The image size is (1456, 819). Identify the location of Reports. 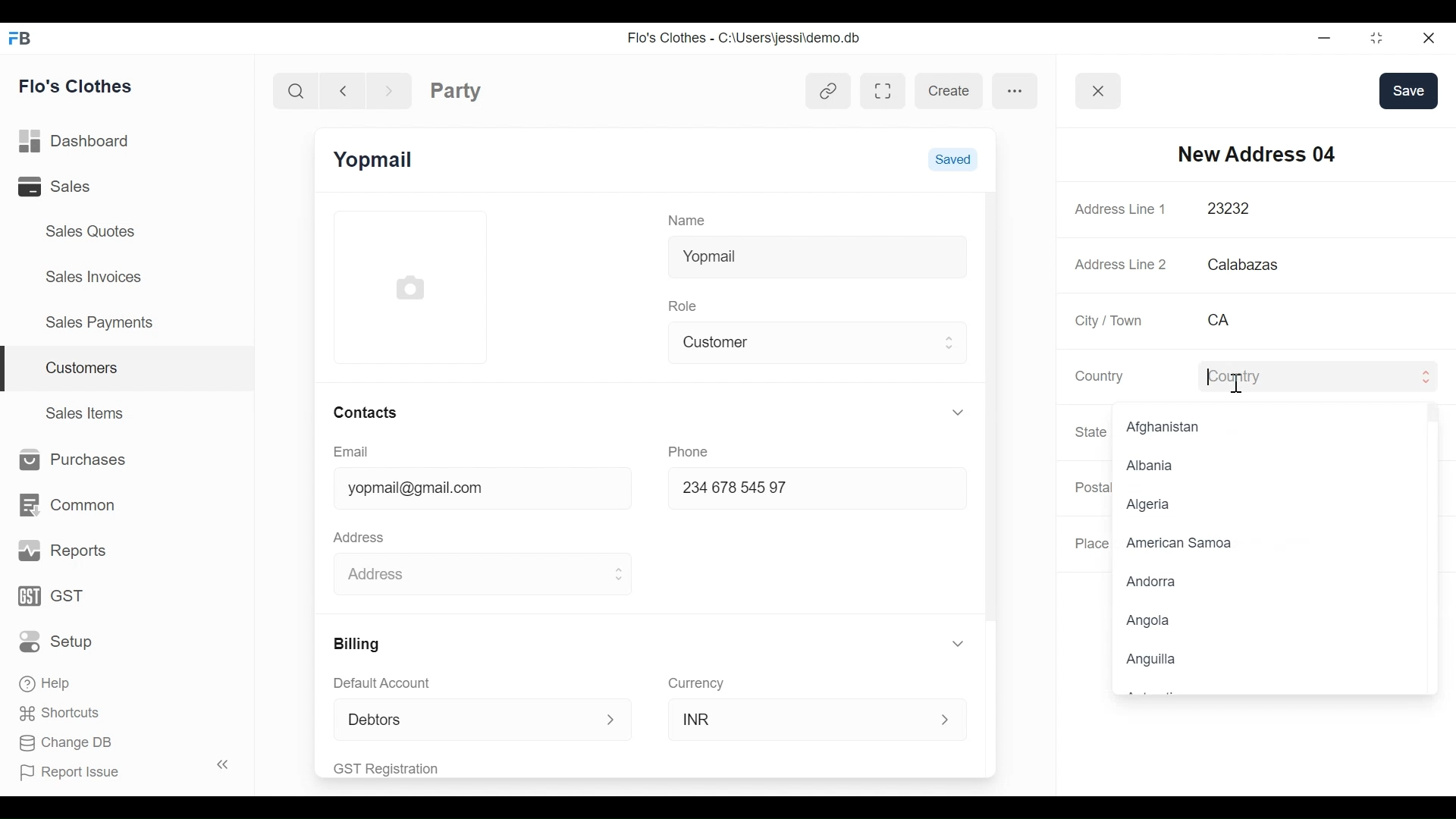
(64, 551).